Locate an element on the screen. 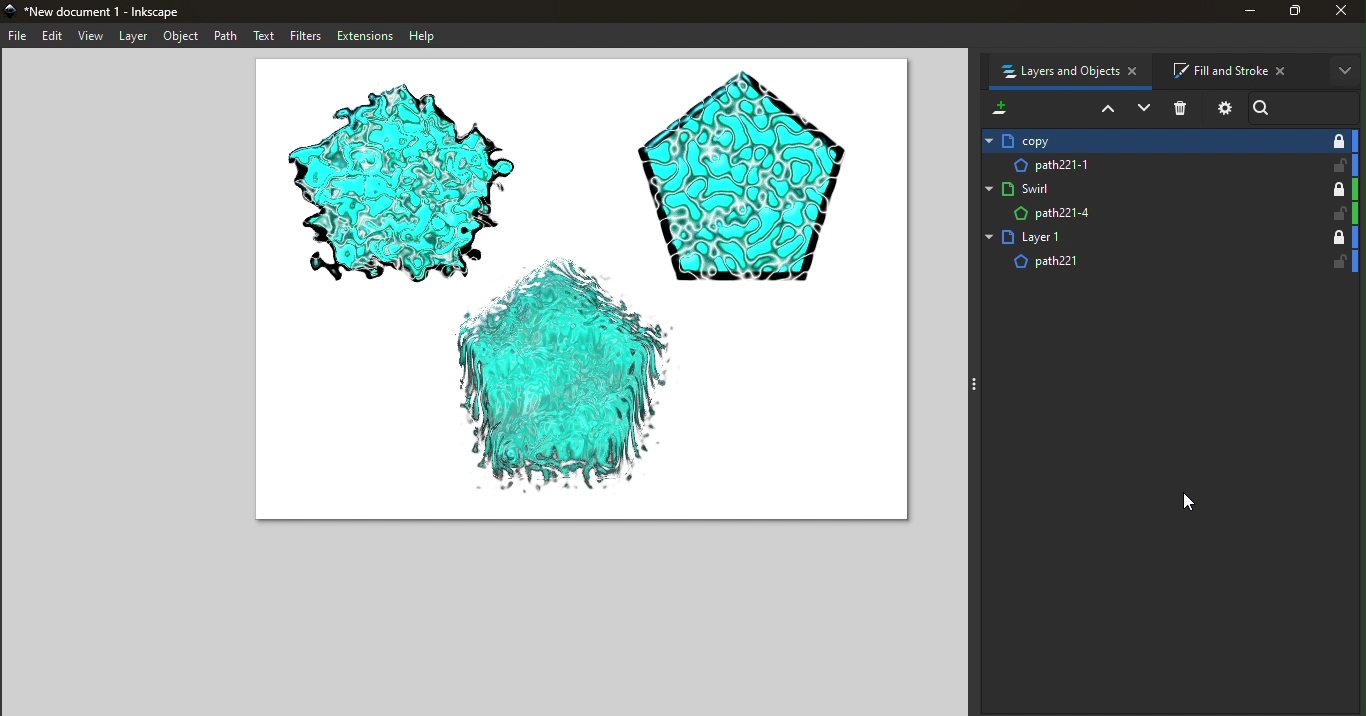  Filters is located at coordinates (302, 36).